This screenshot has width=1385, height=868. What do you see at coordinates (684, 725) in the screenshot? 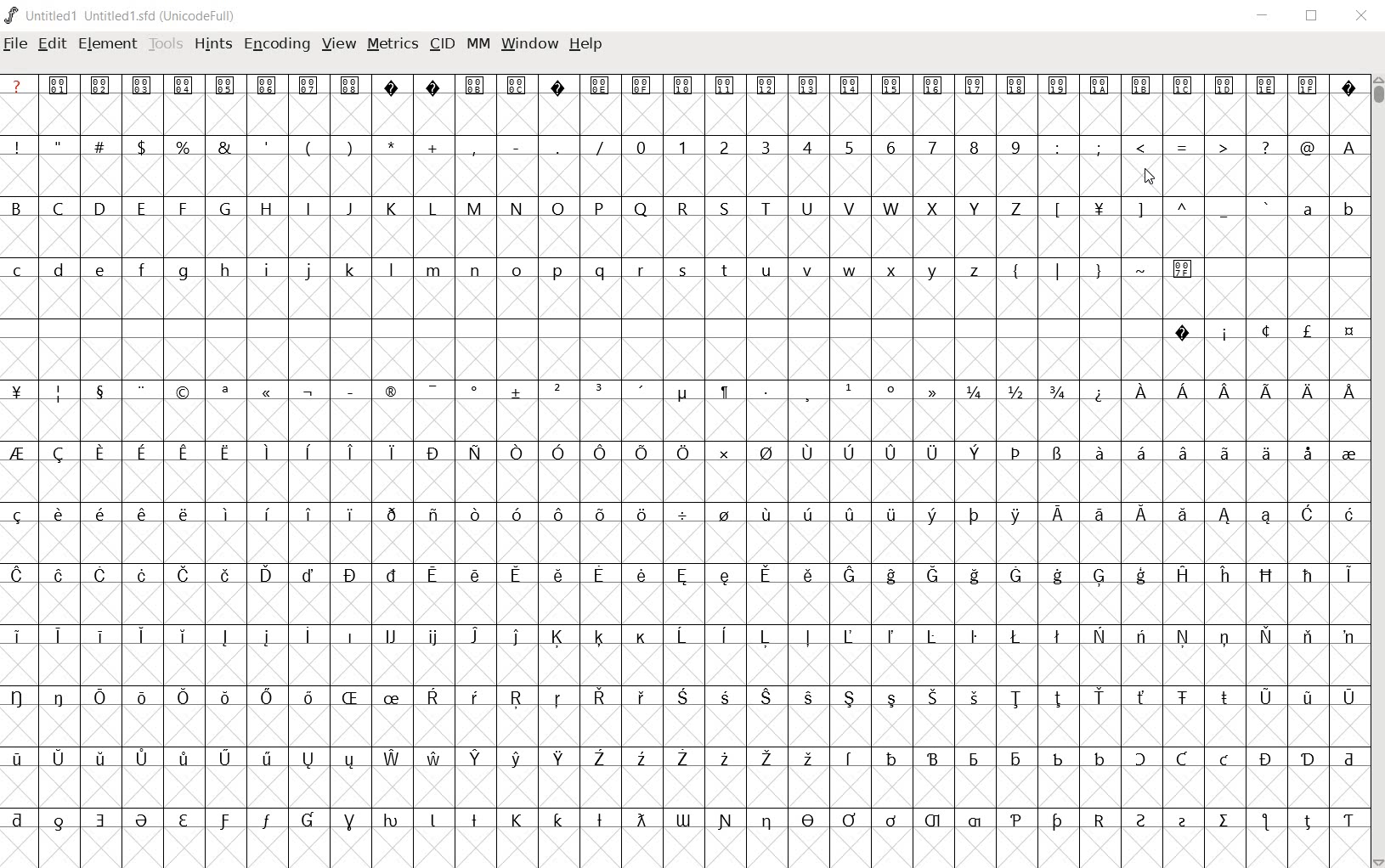
I see `empty cells` at bounding box center [684, 725].